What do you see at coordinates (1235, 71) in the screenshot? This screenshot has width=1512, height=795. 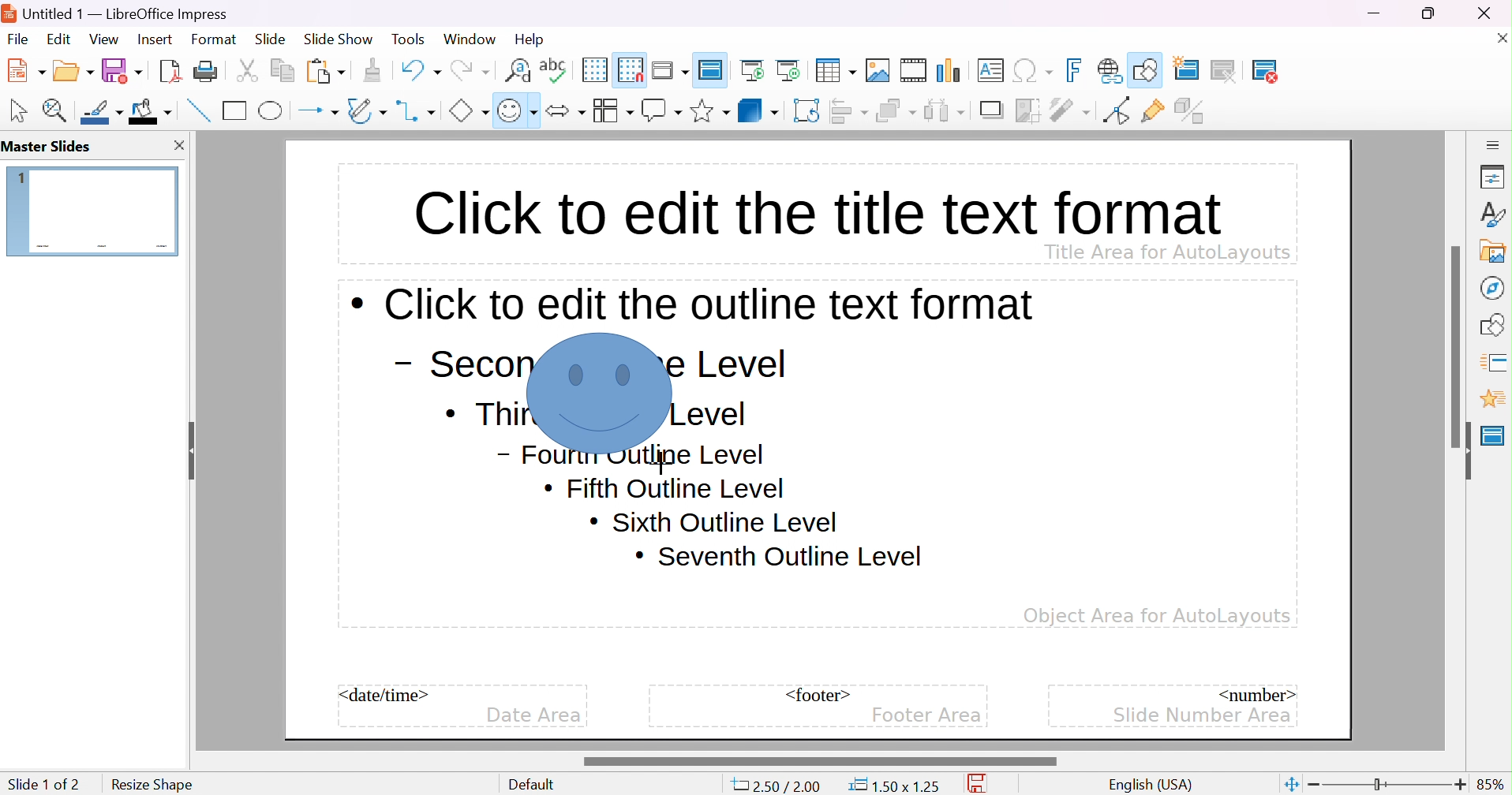 I see `duplicate slide` at bounding box center [1235, 71].